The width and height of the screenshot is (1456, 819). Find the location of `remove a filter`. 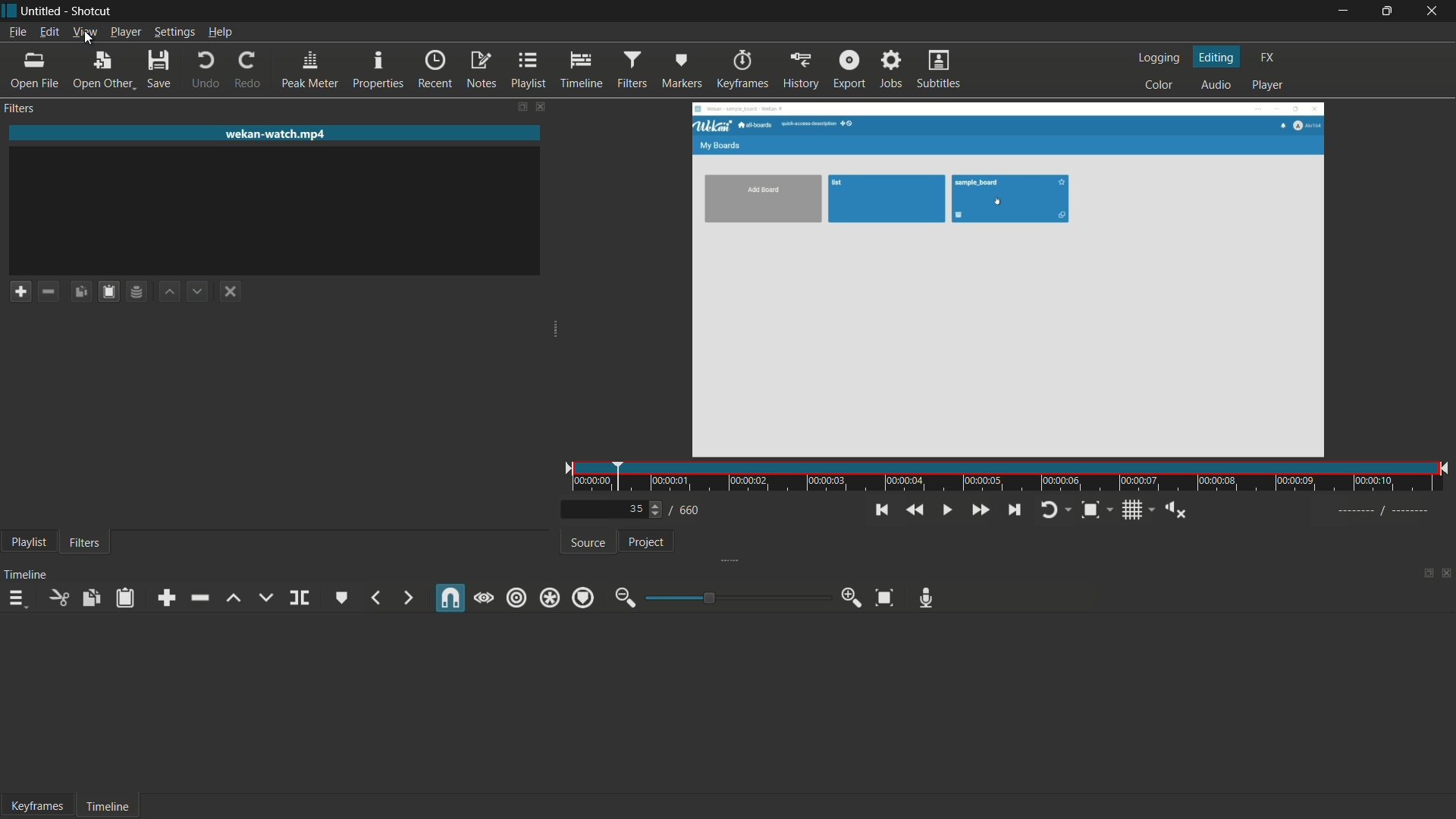

remove a filter is located at coordinates (50, 291).